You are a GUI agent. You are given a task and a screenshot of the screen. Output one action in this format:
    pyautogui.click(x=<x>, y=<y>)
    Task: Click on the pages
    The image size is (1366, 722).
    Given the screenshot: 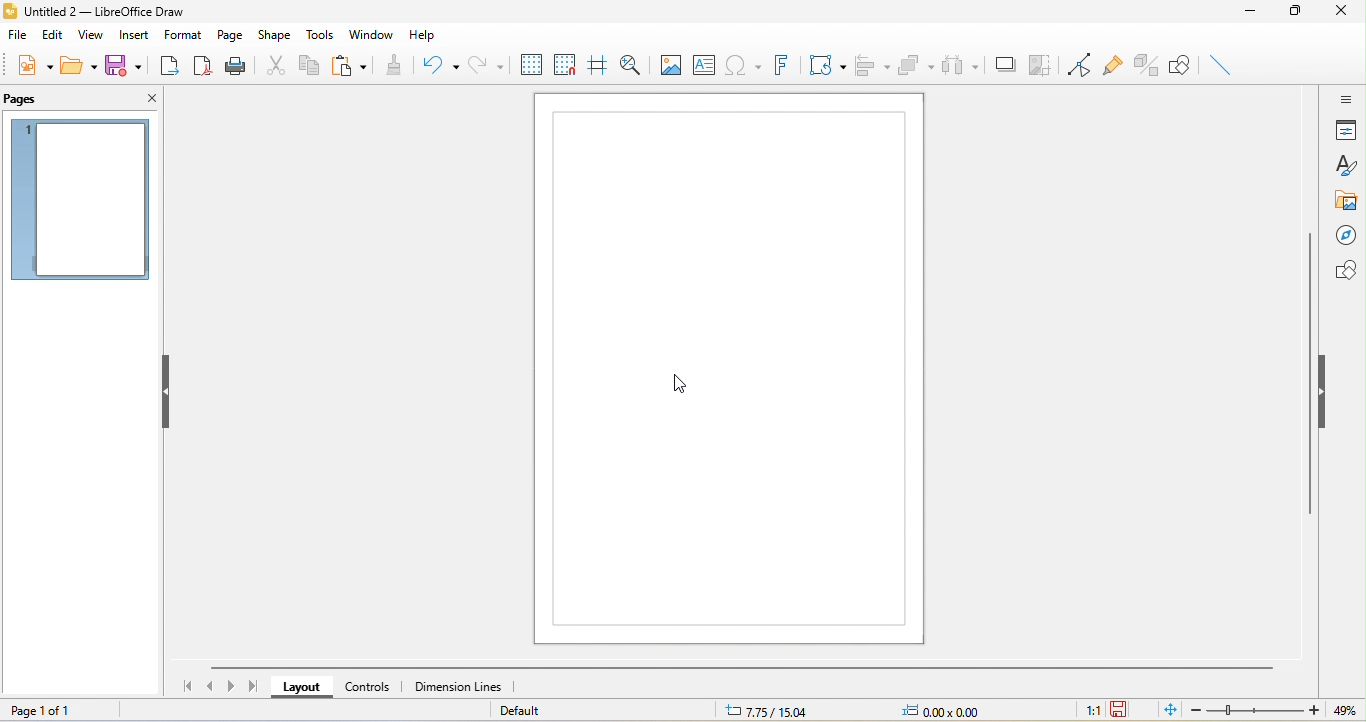 What is the action you would take?
    pyautogui.click(x=29, y=100)
    